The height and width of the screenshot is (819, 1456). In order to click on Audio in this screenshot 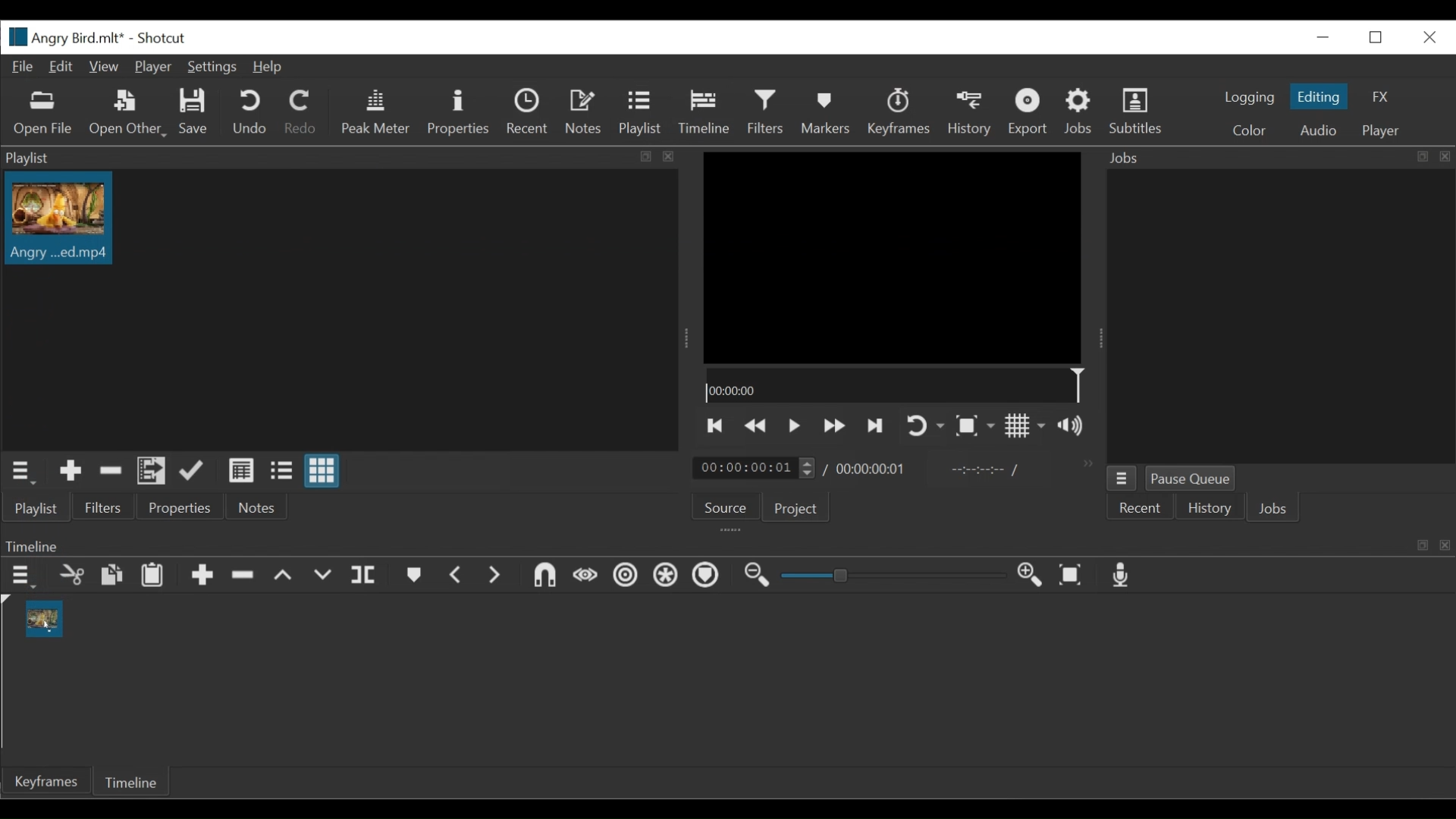, I will do `click(1322, 130)`.